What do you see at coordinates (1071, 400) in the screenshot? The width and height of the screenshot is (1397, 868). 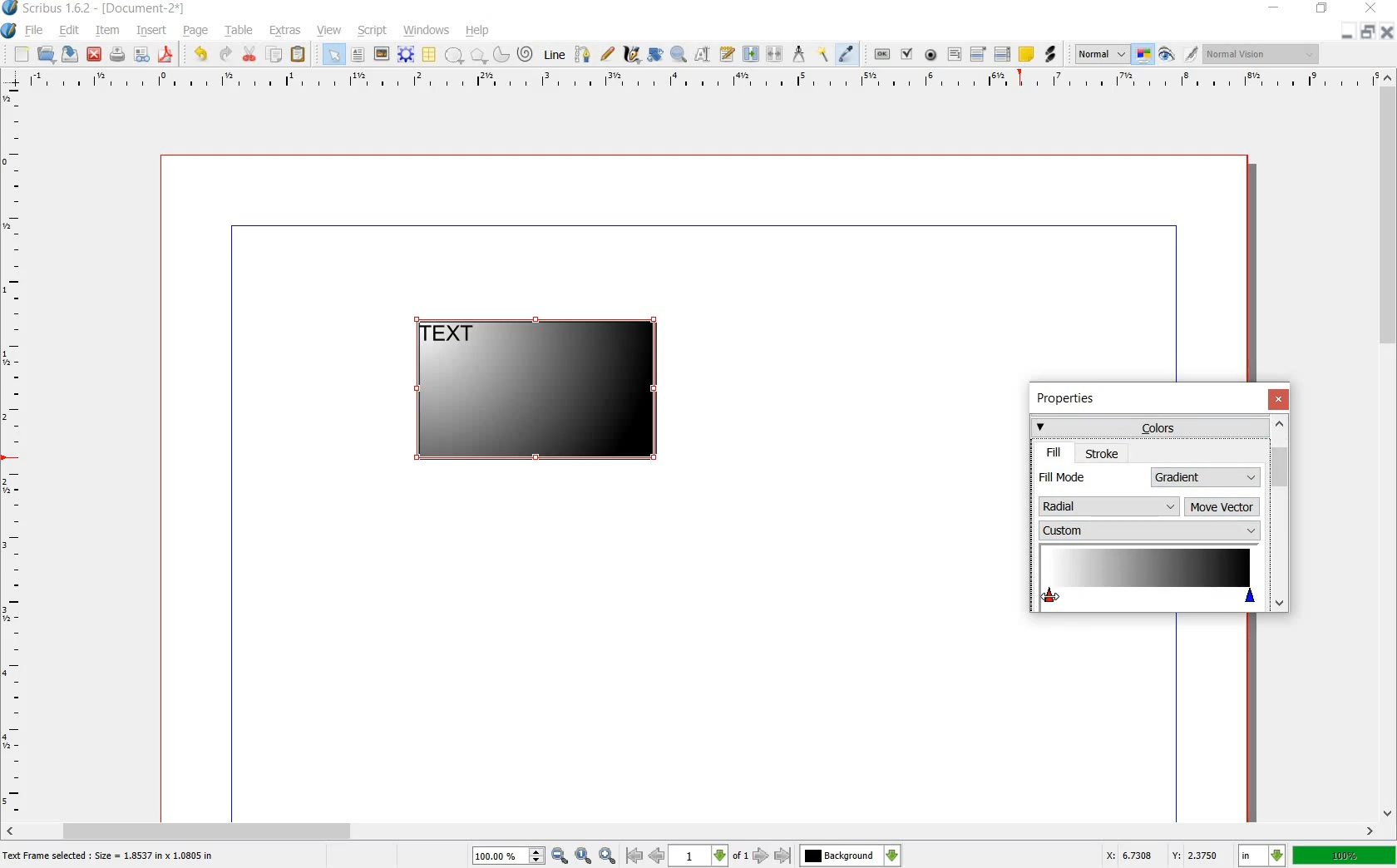 I see `properties` at bounding box center [1071, 400].